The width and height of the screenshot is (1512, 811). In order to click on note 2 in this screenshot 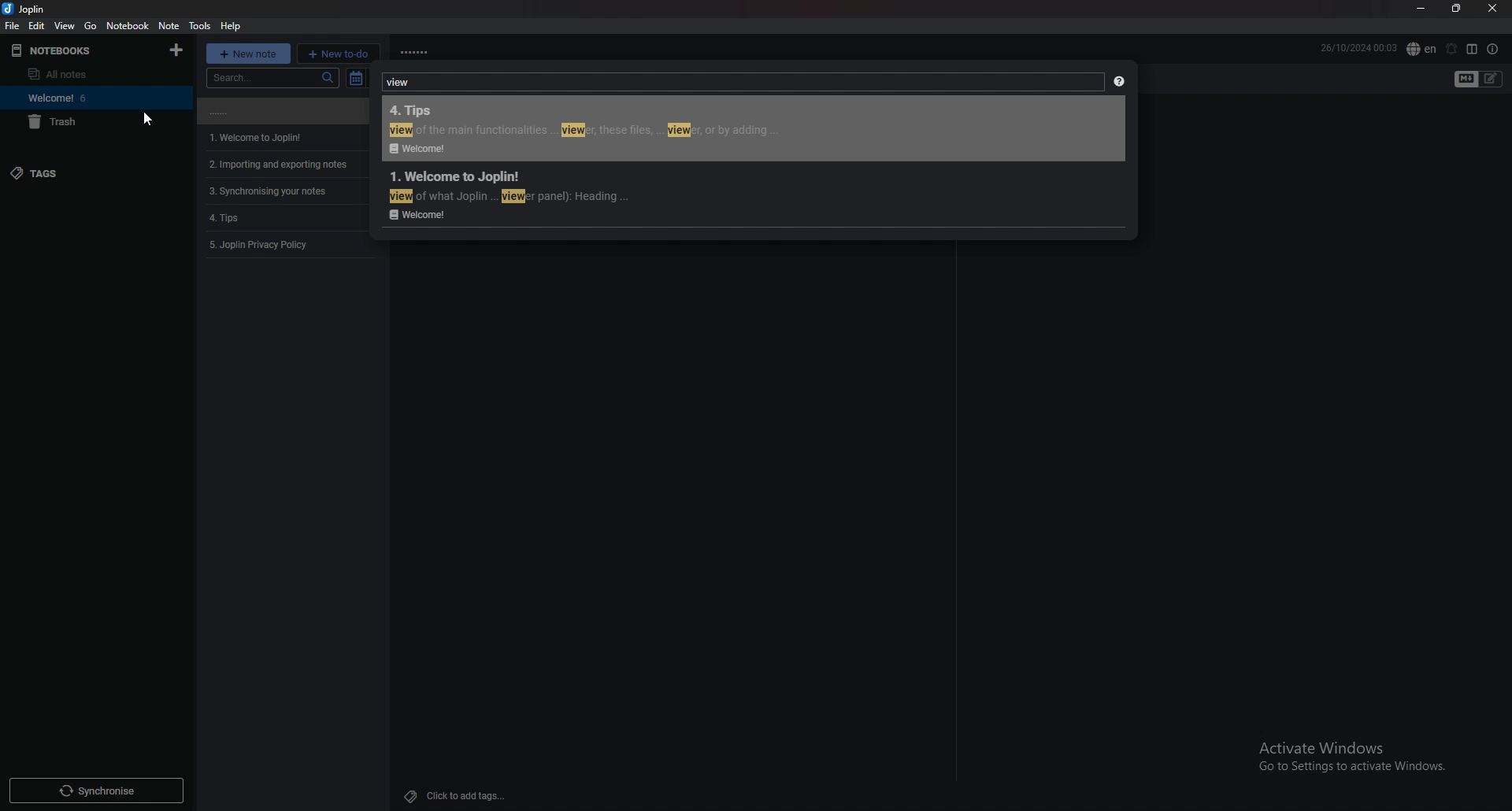, I will do `click(279, 137)`.